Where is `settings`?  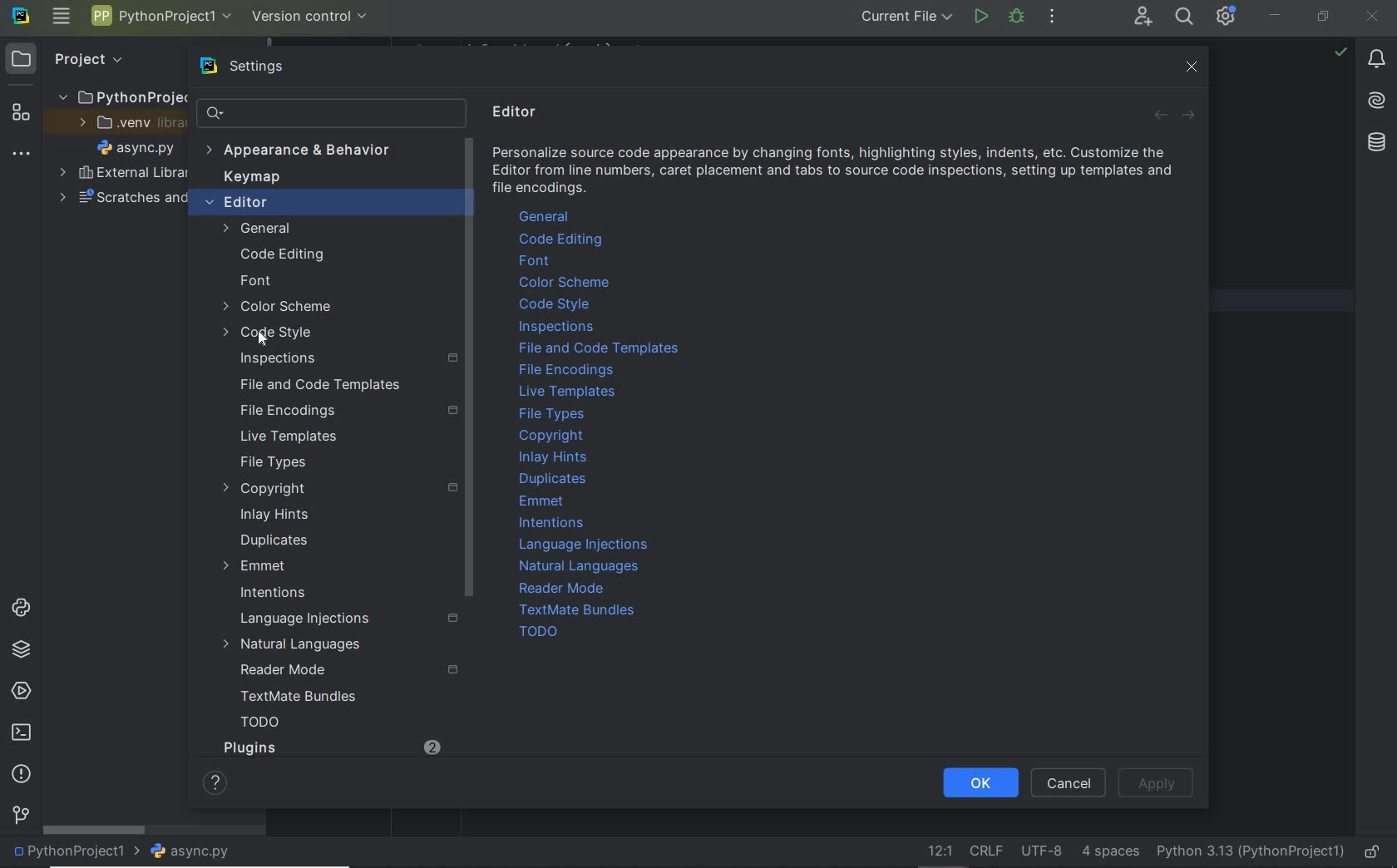
settings is located at coordinates (264, 67).